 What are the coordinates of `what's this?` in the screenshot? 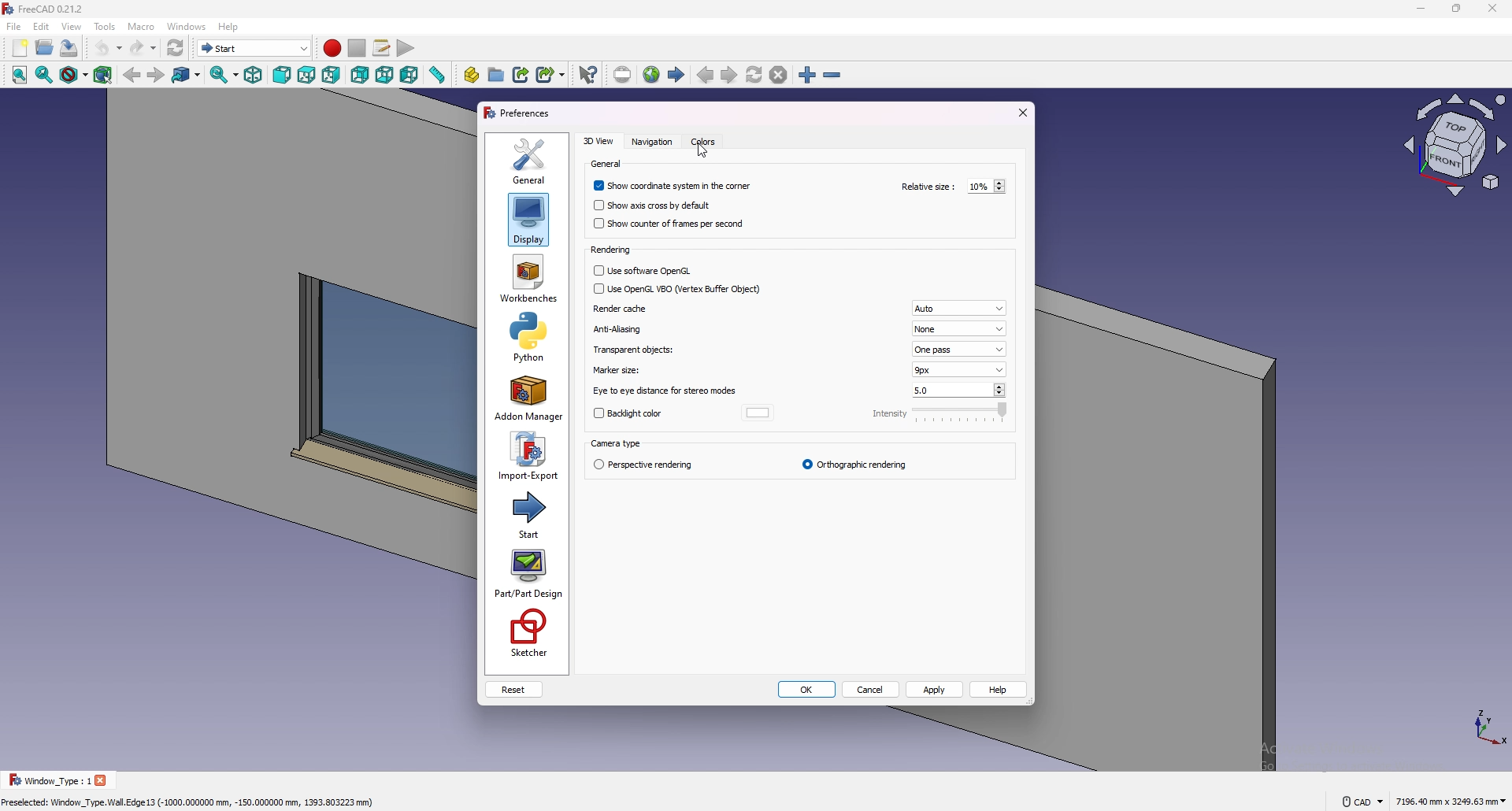 It's located at (588, 74).